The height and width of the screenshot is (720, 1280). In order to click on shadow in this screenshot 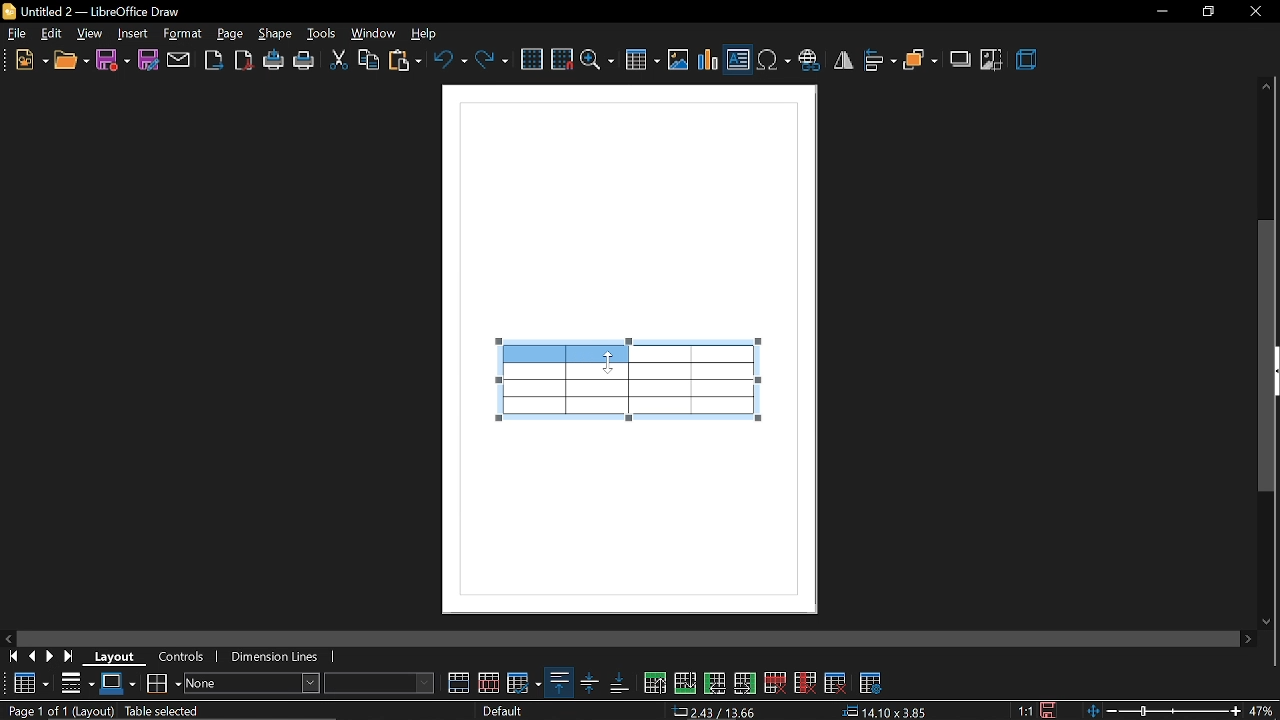, I will do `click(958, 60)`.